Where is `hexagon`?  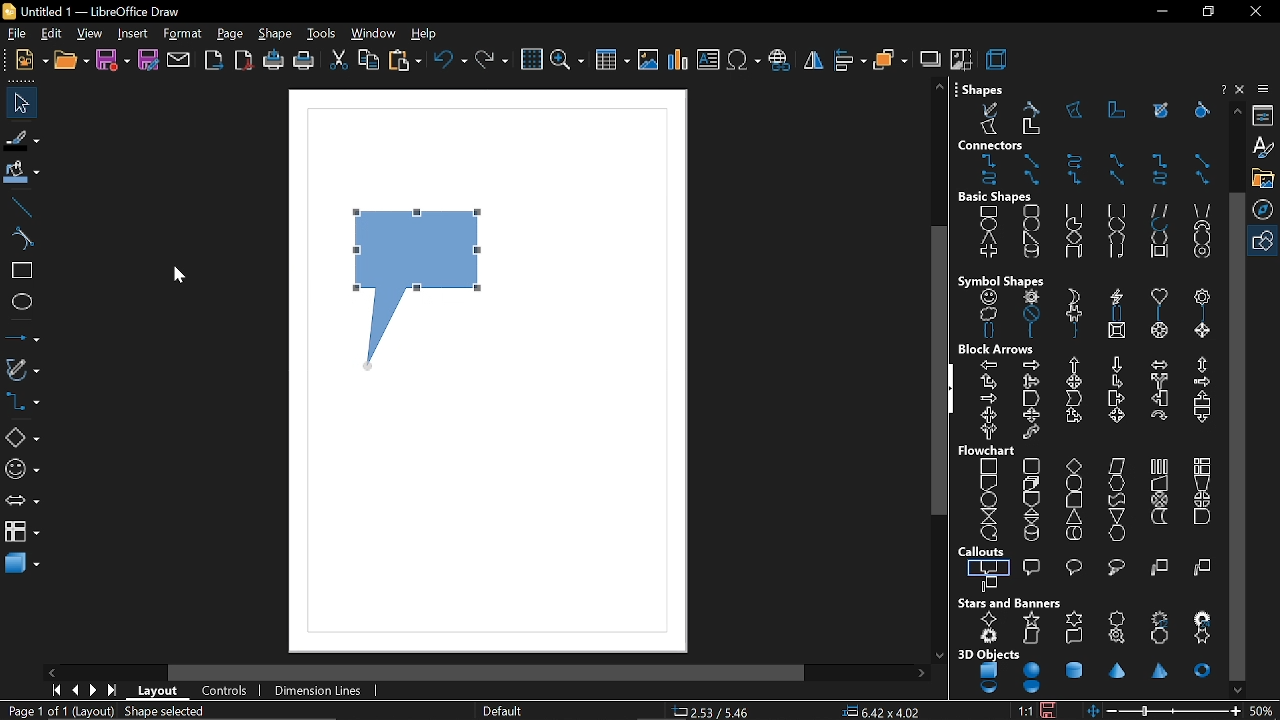 hexagon is located at coordinates (1158, 238).